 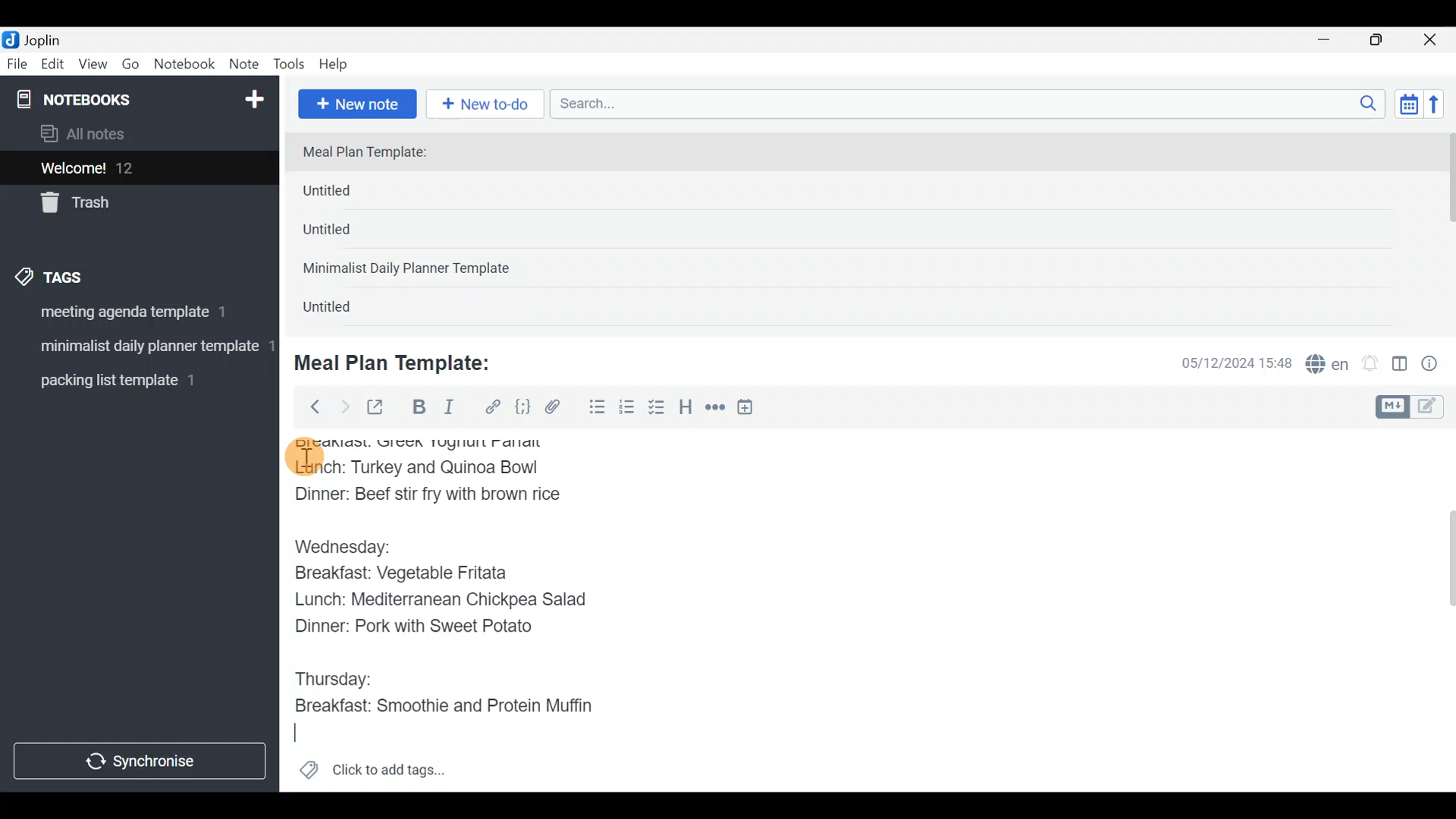 What do you see at coordinates (372, 775) in the screenshot?
I see `Click to add tags` at bounding box center [372, 775].